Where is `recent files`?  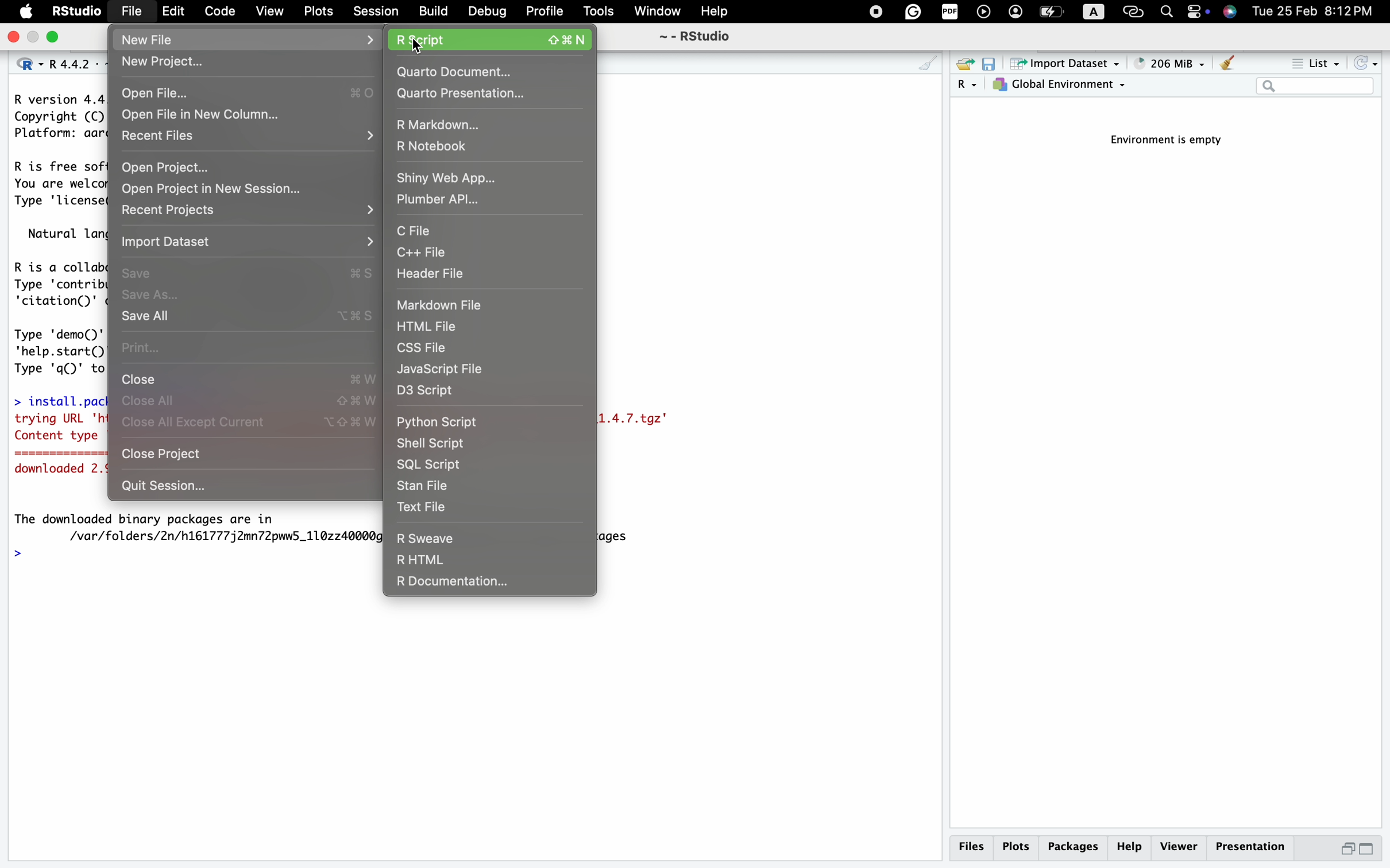 recent files is located at coordinates (250, 138).